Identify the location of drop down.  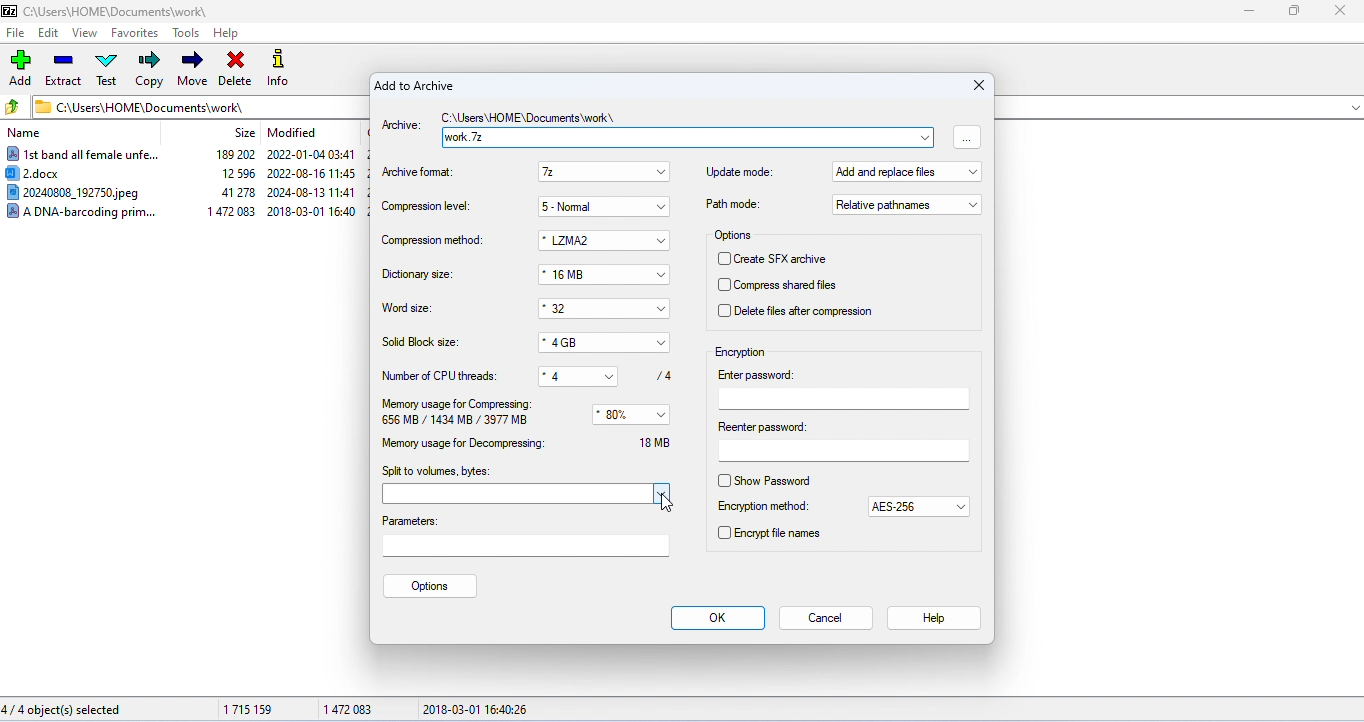
(663, 415).